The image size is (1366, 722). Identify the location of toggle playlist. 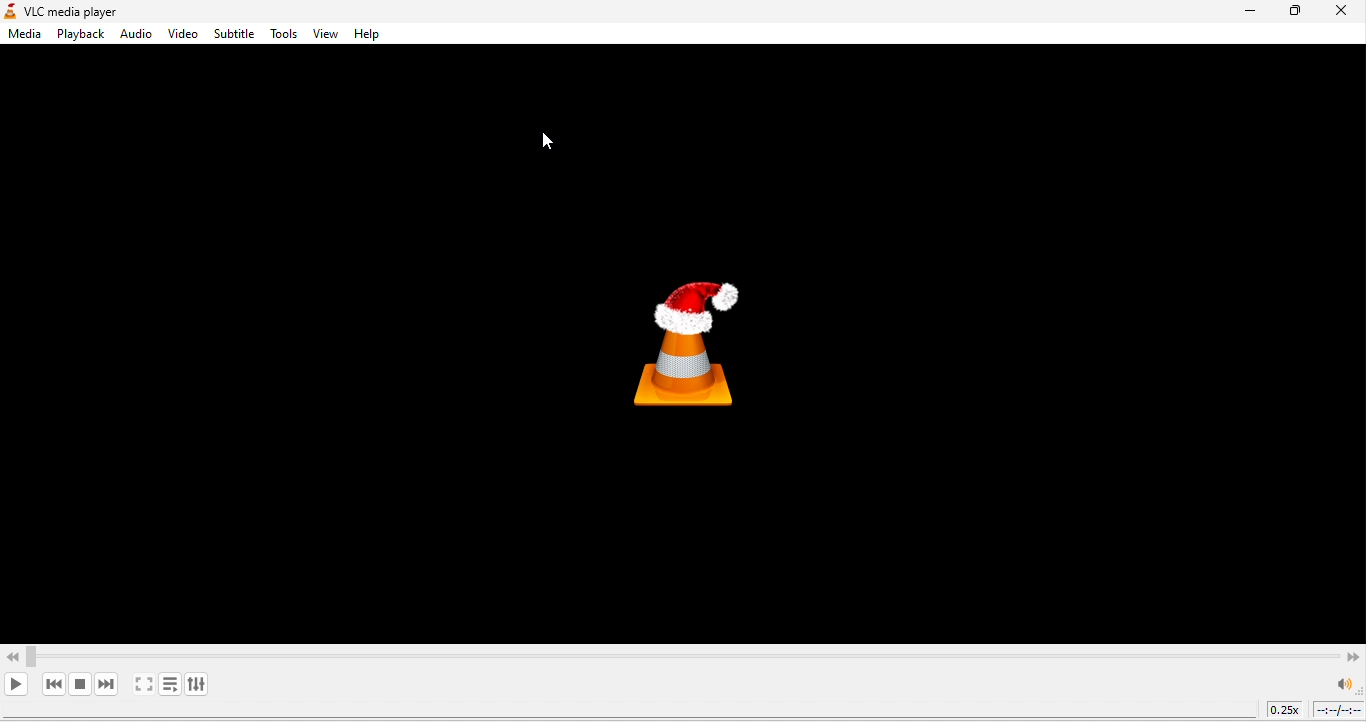
(175, 684).